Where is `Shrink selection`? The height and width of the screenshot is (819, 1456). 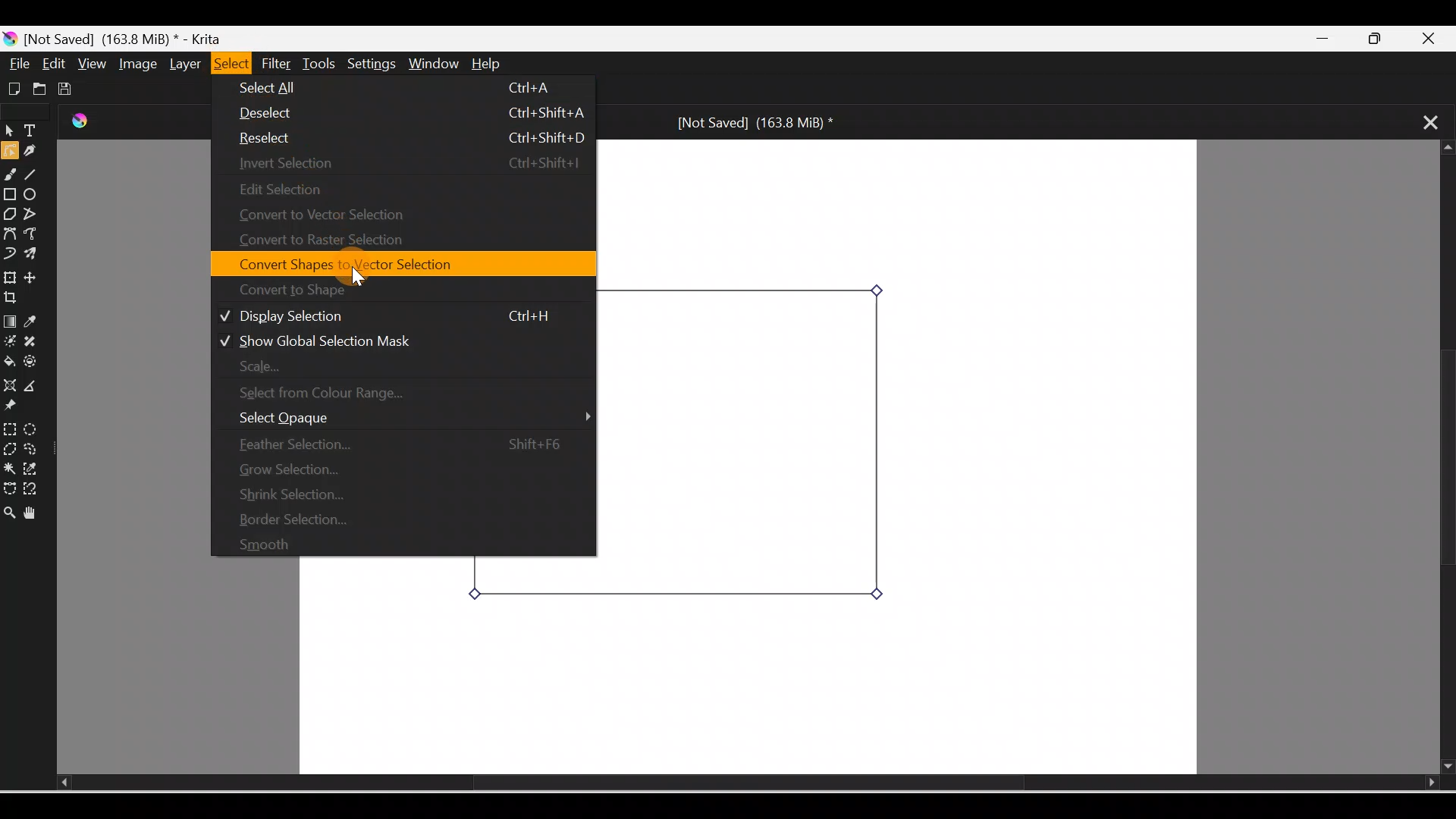
Shrink selection is located at coordinates (406, 491).